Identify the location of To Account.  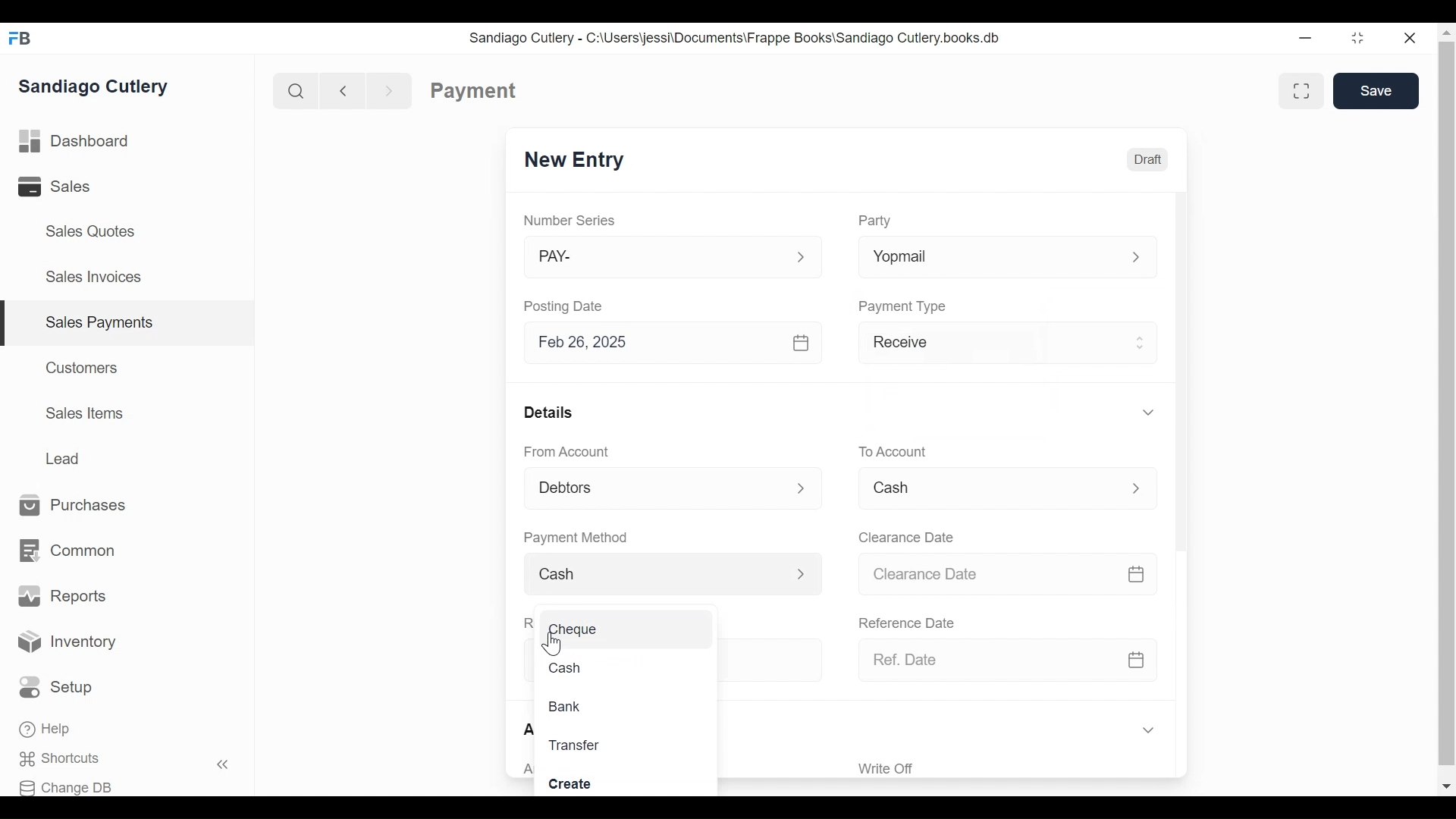
(893, 451).